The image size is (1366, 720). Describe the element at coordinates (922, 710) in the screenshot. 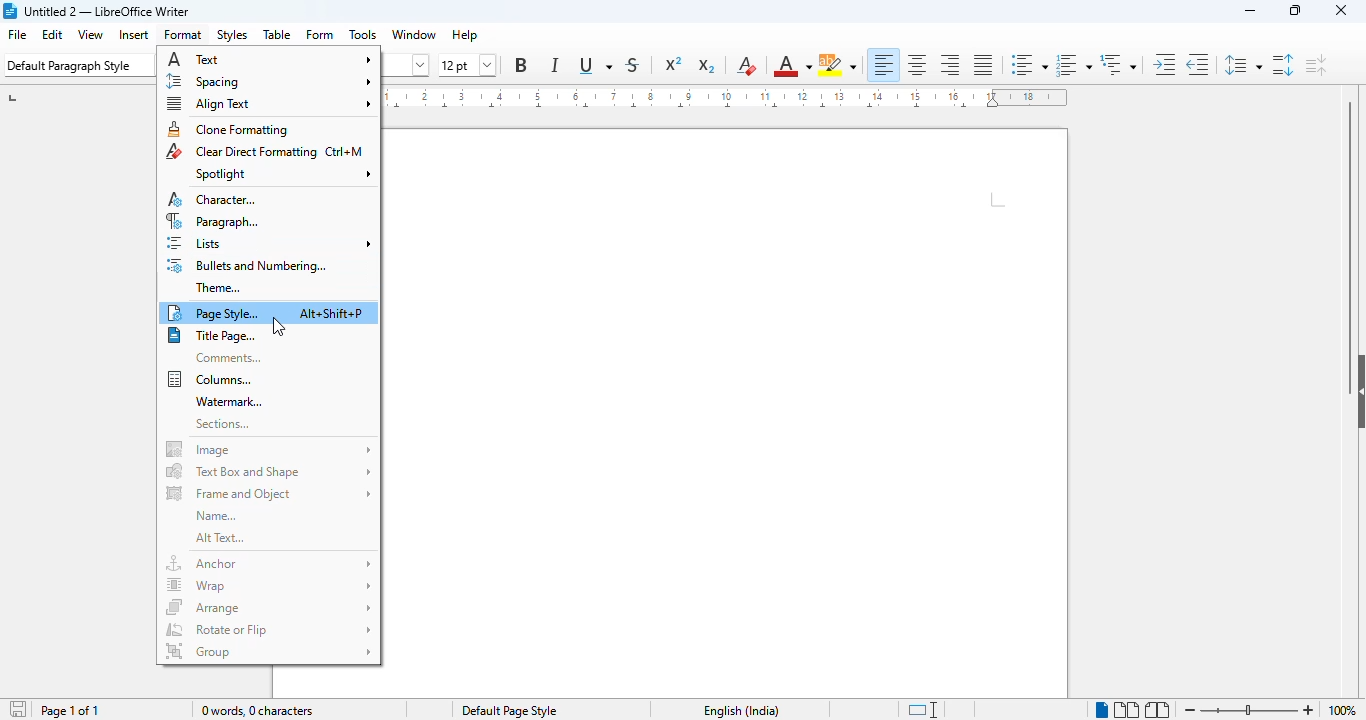

I see `standard selection` at that location.